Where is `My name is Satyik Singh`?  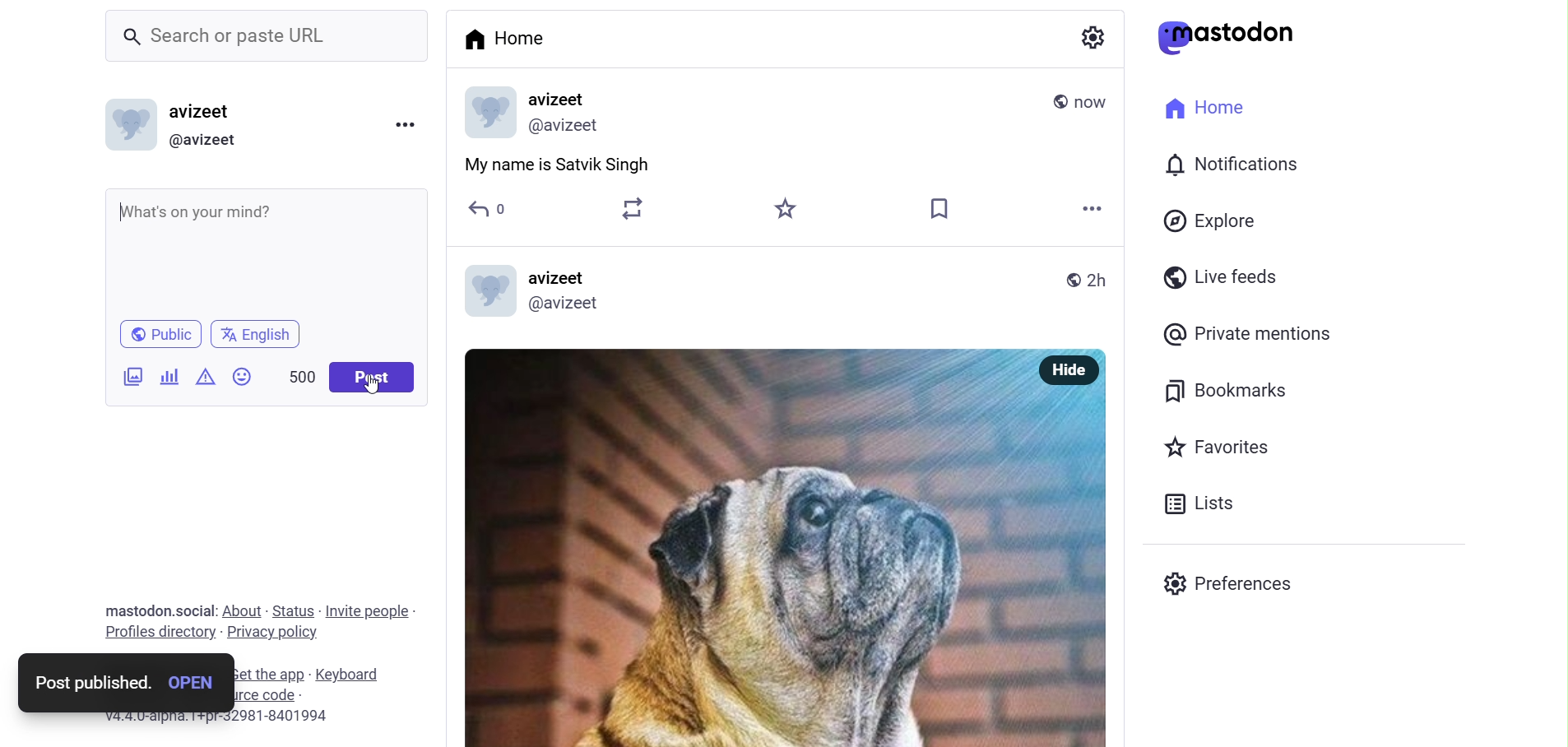 My name is Satyik Singh is located at coordinates (211, 214).